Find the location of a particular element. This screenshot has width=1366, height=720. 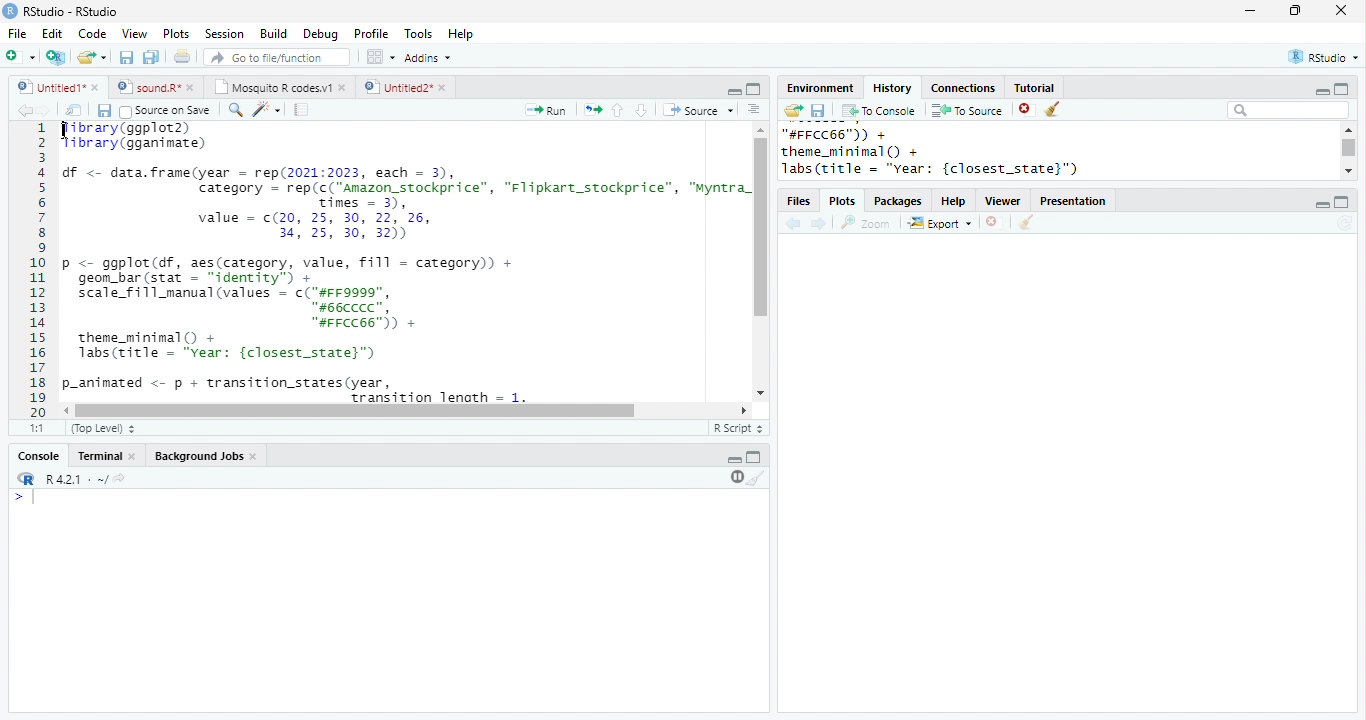

start typing is located at coordinates (26, 497).